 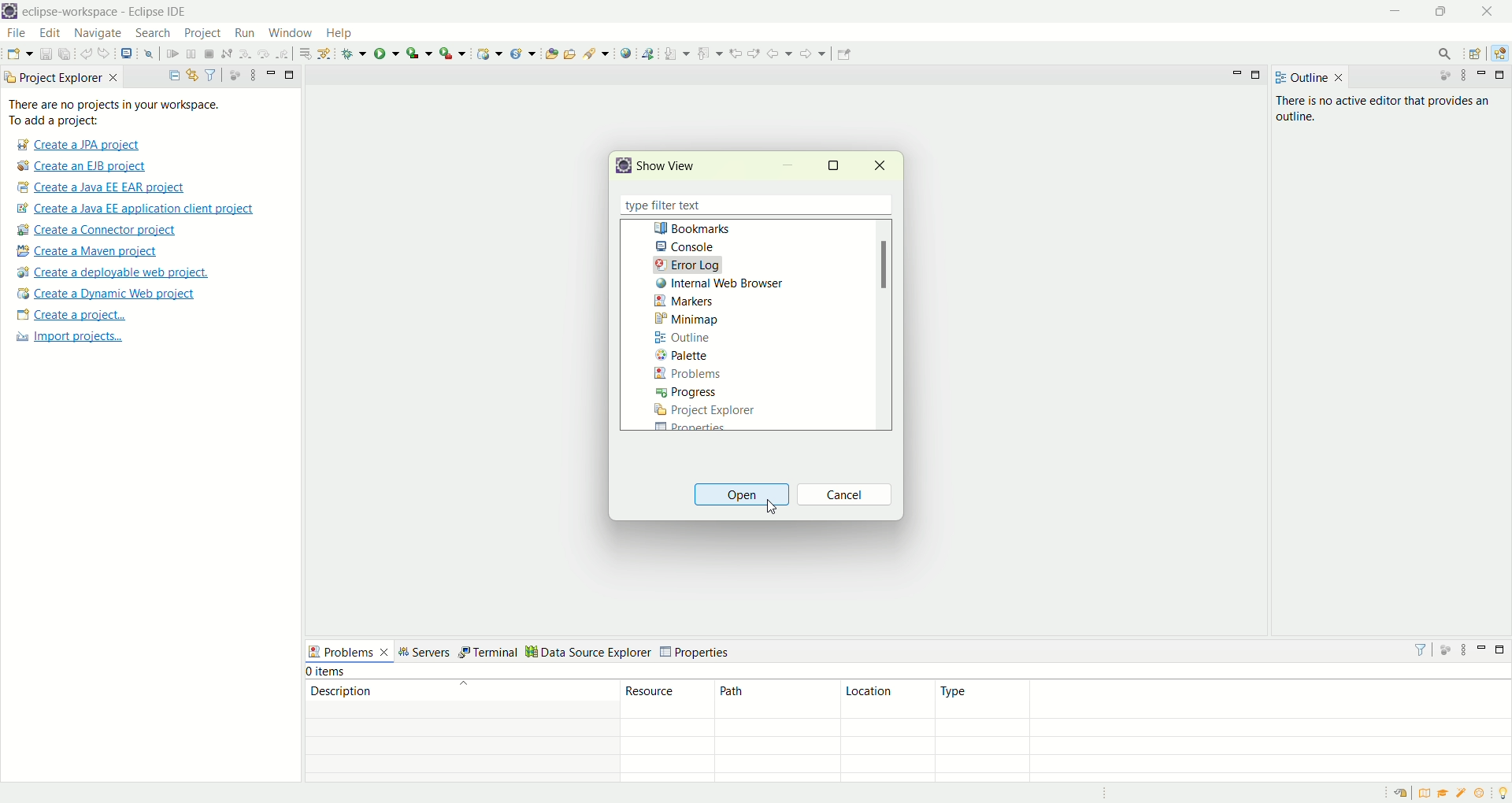 I want to click on filter, so click(x=1422, y=649).